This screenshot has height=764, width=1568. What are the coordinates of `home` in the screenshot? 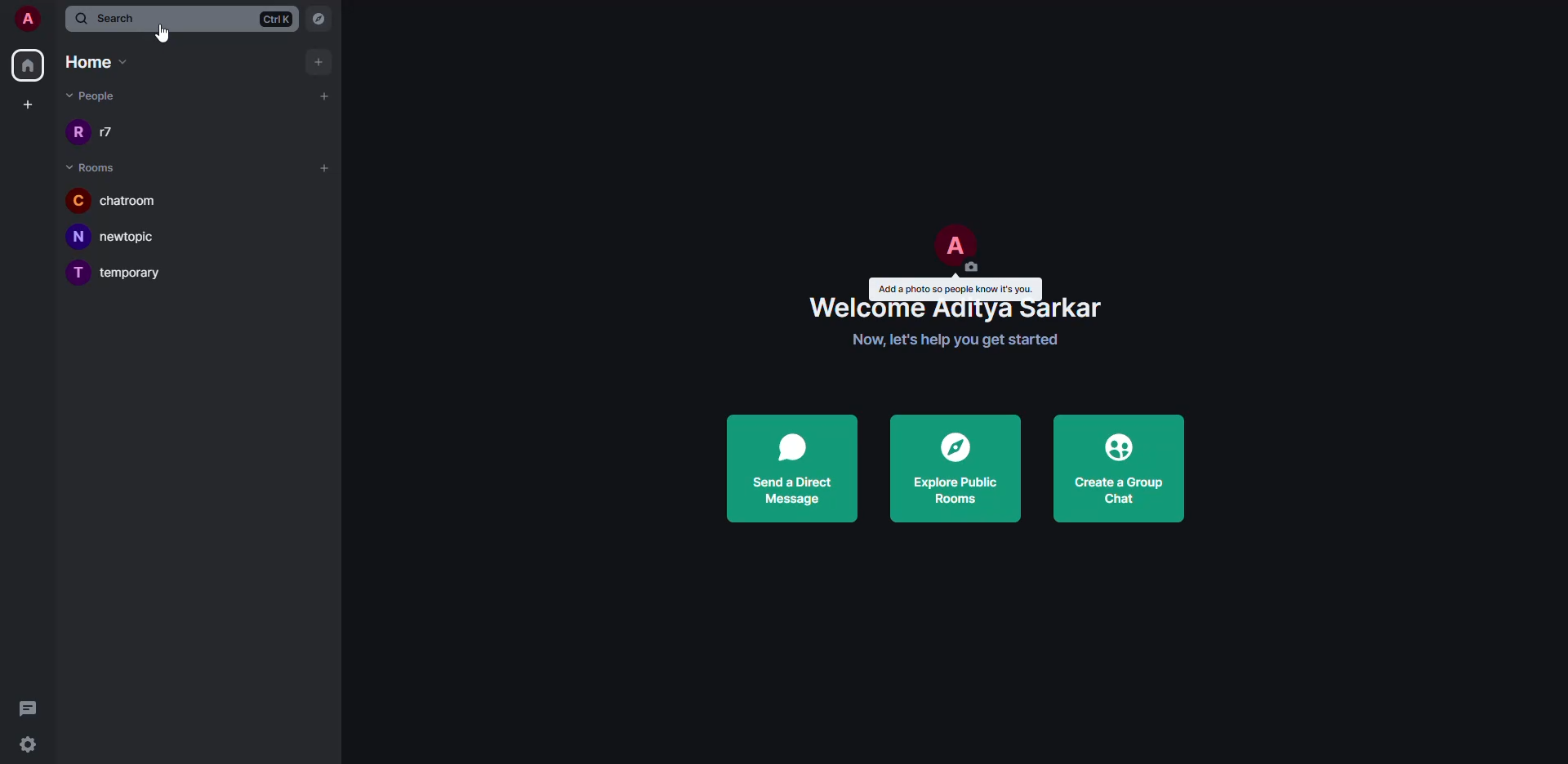 It's located at (95, 60).